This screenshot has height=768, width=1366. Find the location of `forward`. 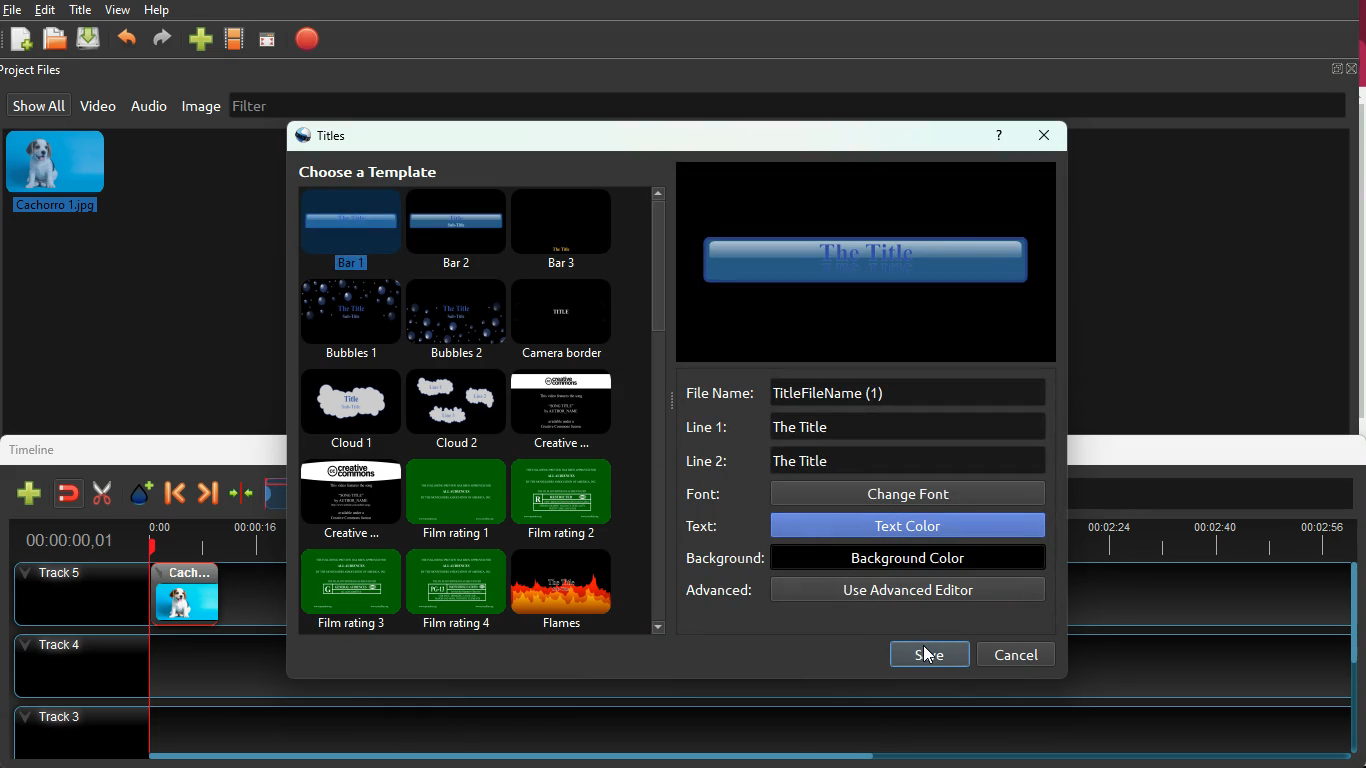

forward is located at coordinates (207, 494).